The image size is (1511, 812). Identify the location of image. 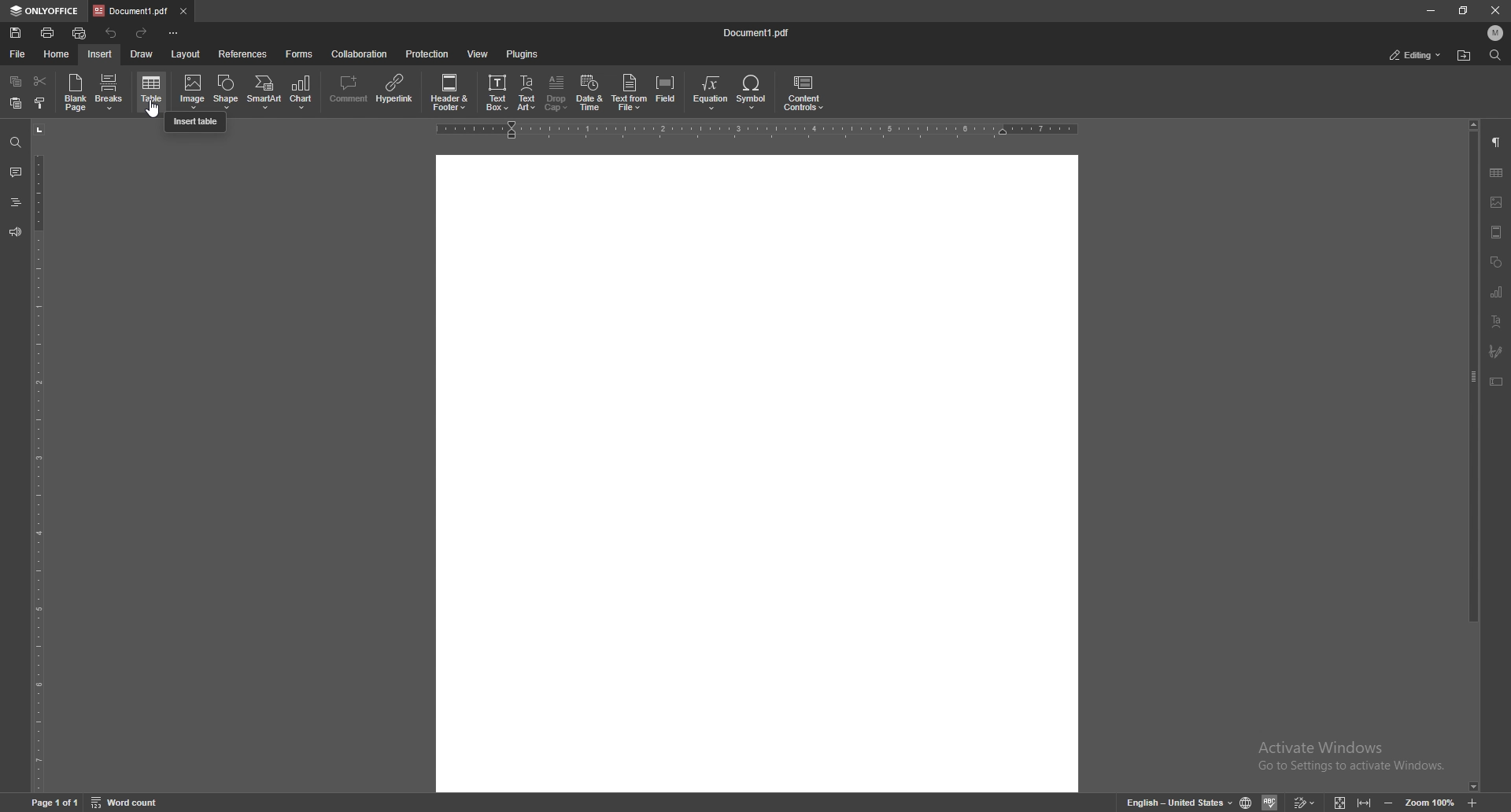
(1497, 201).